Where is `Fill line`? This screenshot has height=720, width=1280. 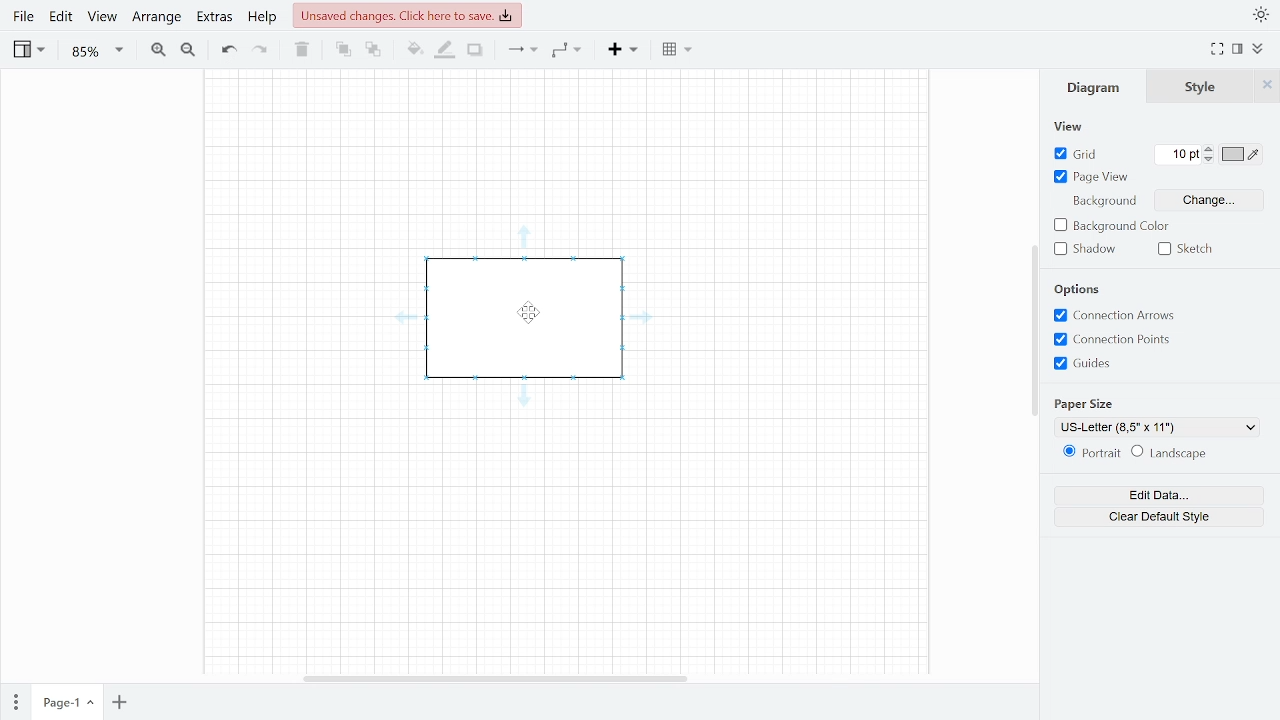 Fill line is located at coordinates (446, 50).